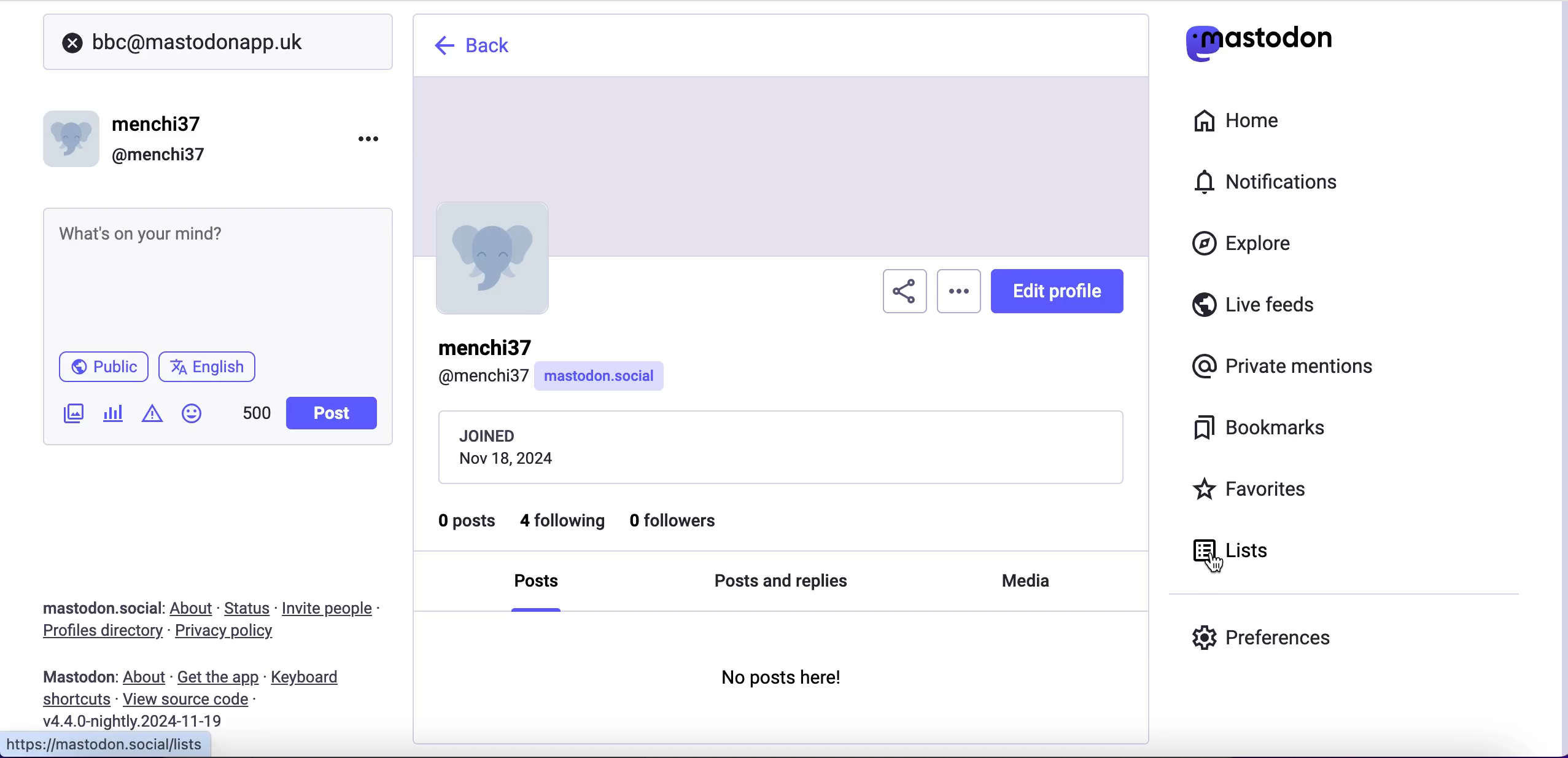  Describe the element at coordinates (190, 700) in the screenshot. I see `view source code` at that location.